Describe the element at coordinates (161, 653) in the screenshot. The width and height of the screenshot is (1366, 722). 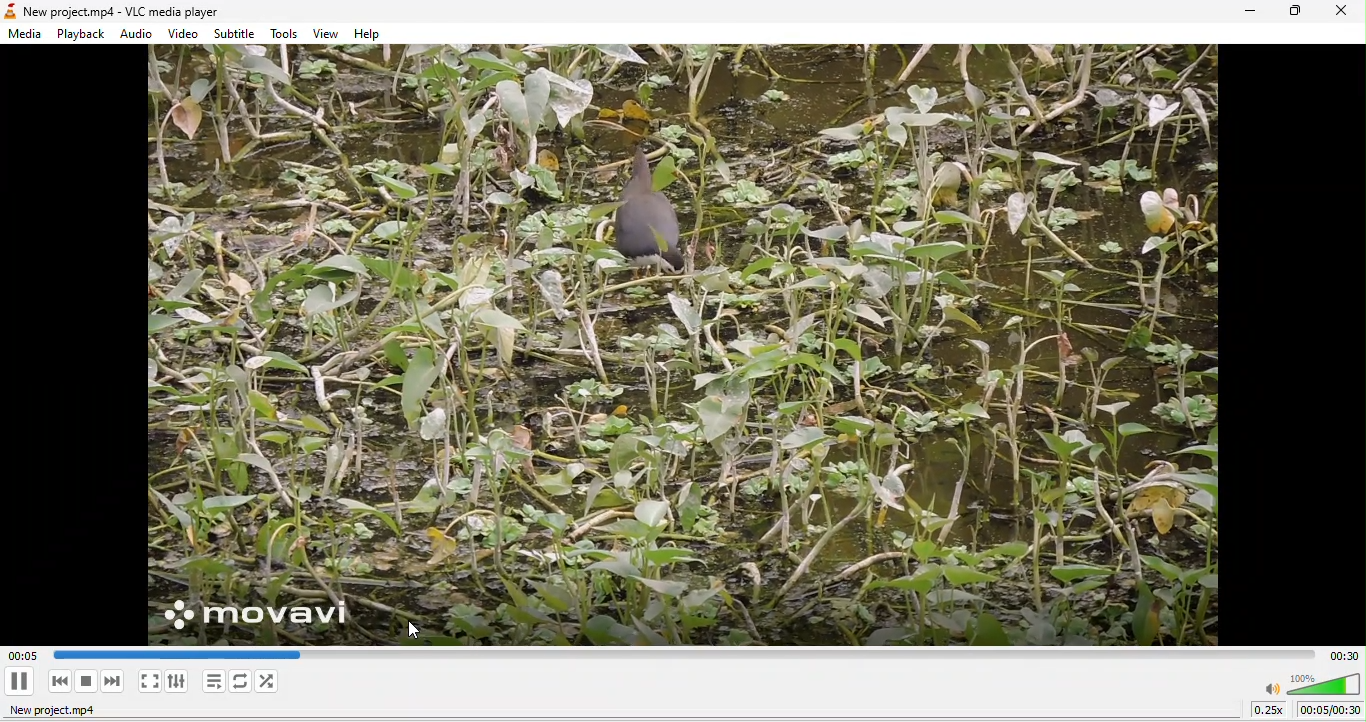
I see `00.05` at that location.